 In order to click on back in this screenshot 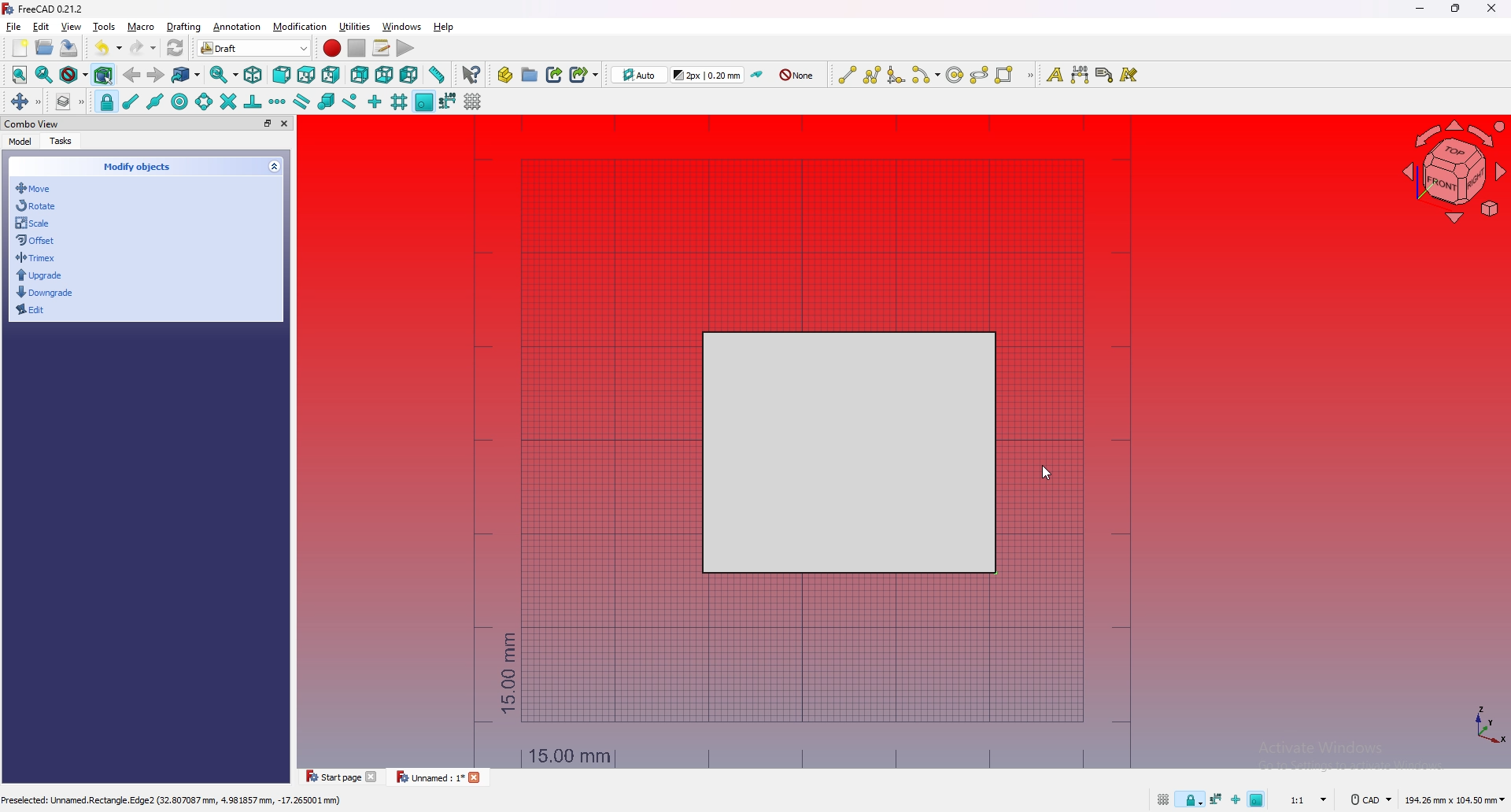, I will do `click(131, 75)`.